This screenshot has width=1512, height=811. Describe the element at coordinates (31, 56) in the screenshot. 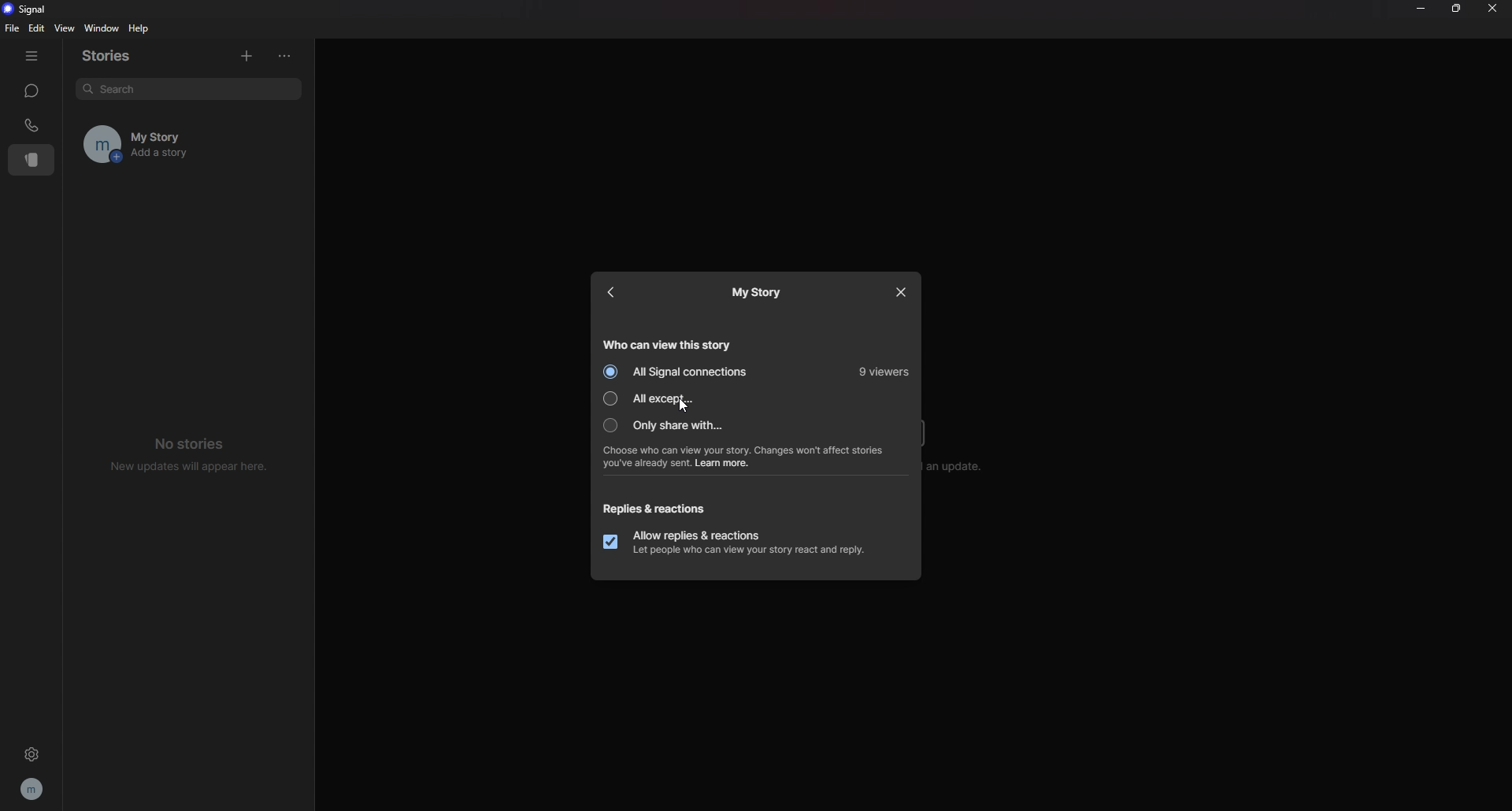

I see `hide tab` at that location.